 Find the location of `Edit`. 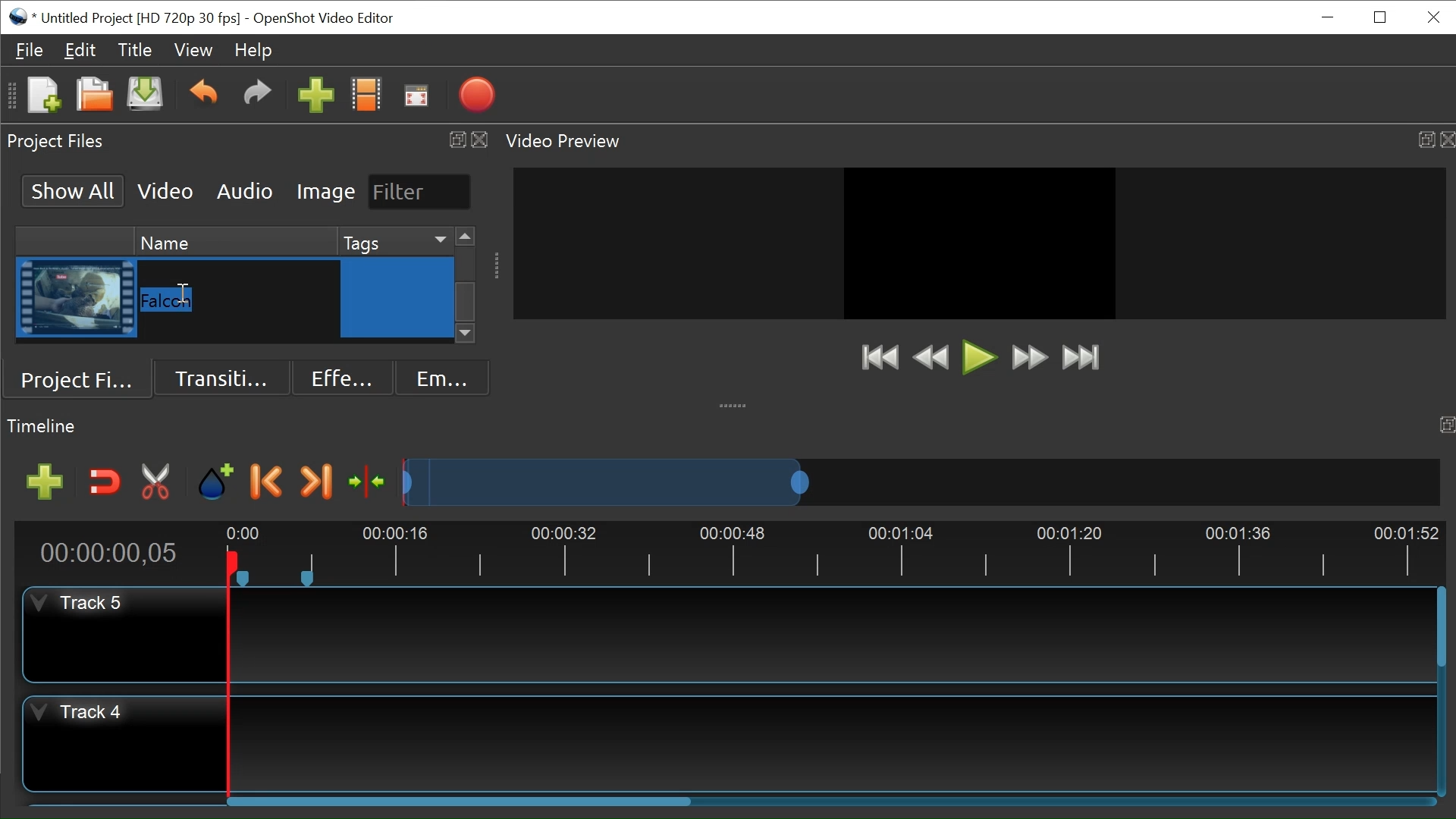

Edit is located at coordinates (81, 52).